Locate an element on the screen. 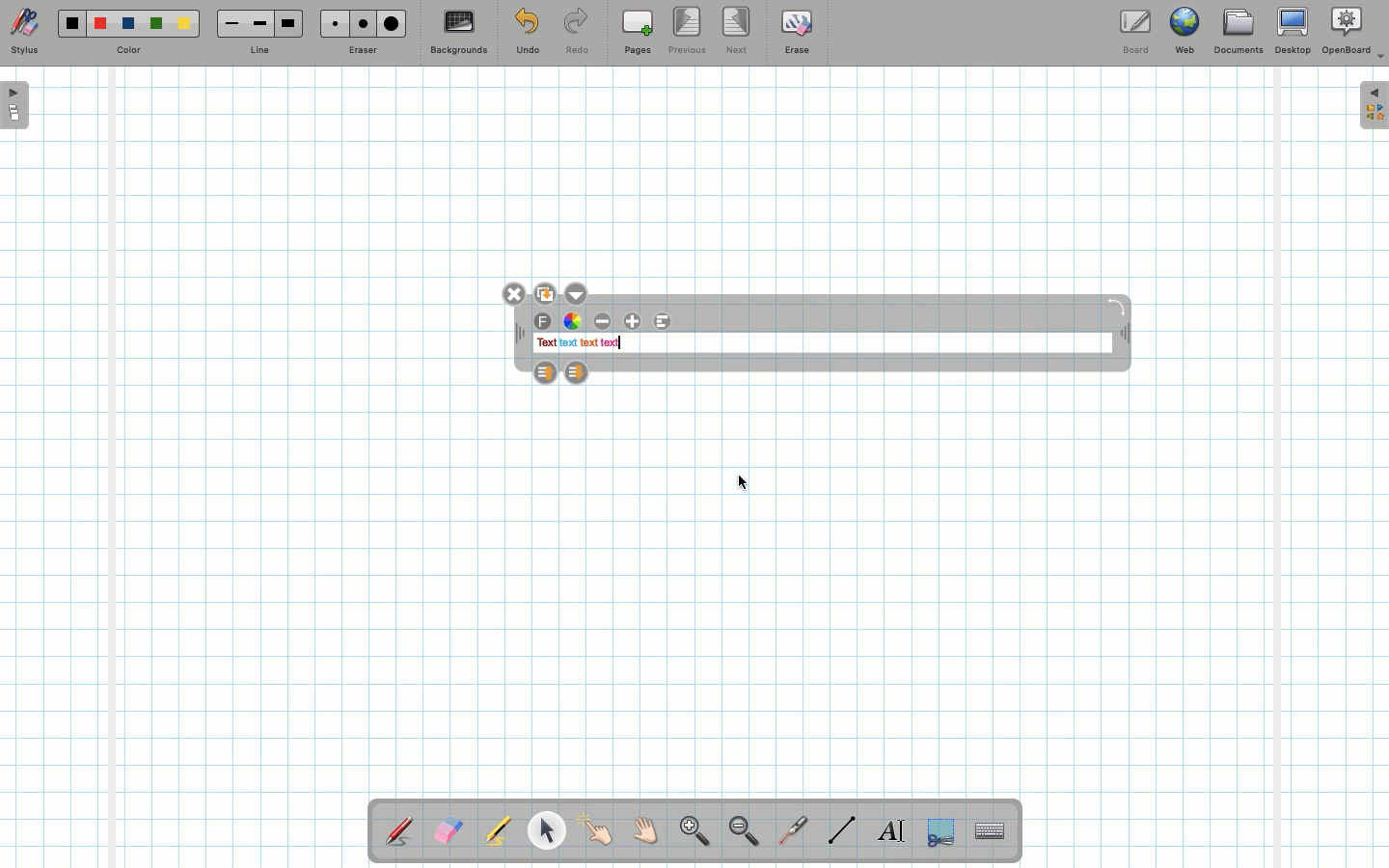 This screenshot has width=1389, height=868. Undo is located at coordinates (527, 35).